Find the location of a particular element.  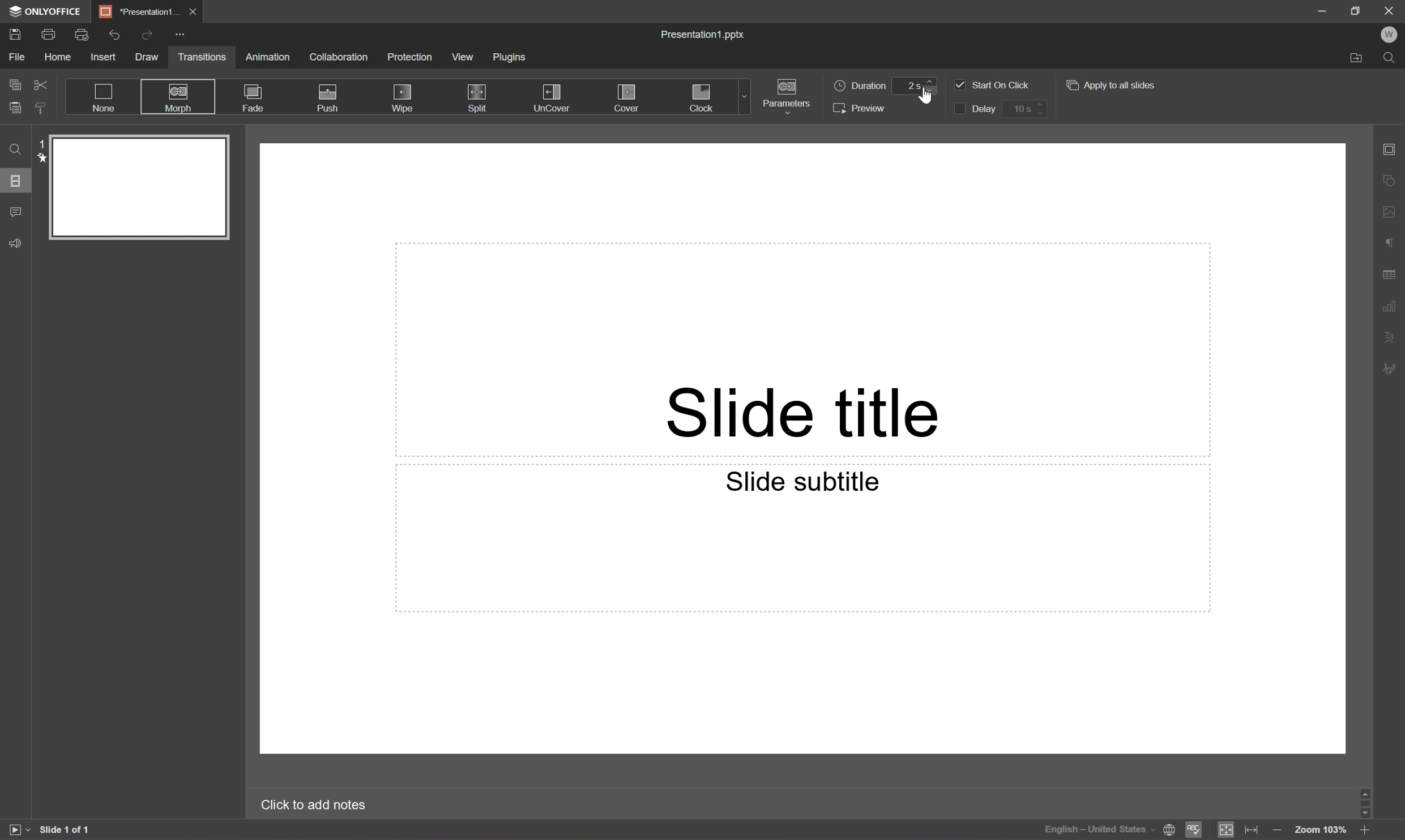

Paste is located at coordinates (18, 108).